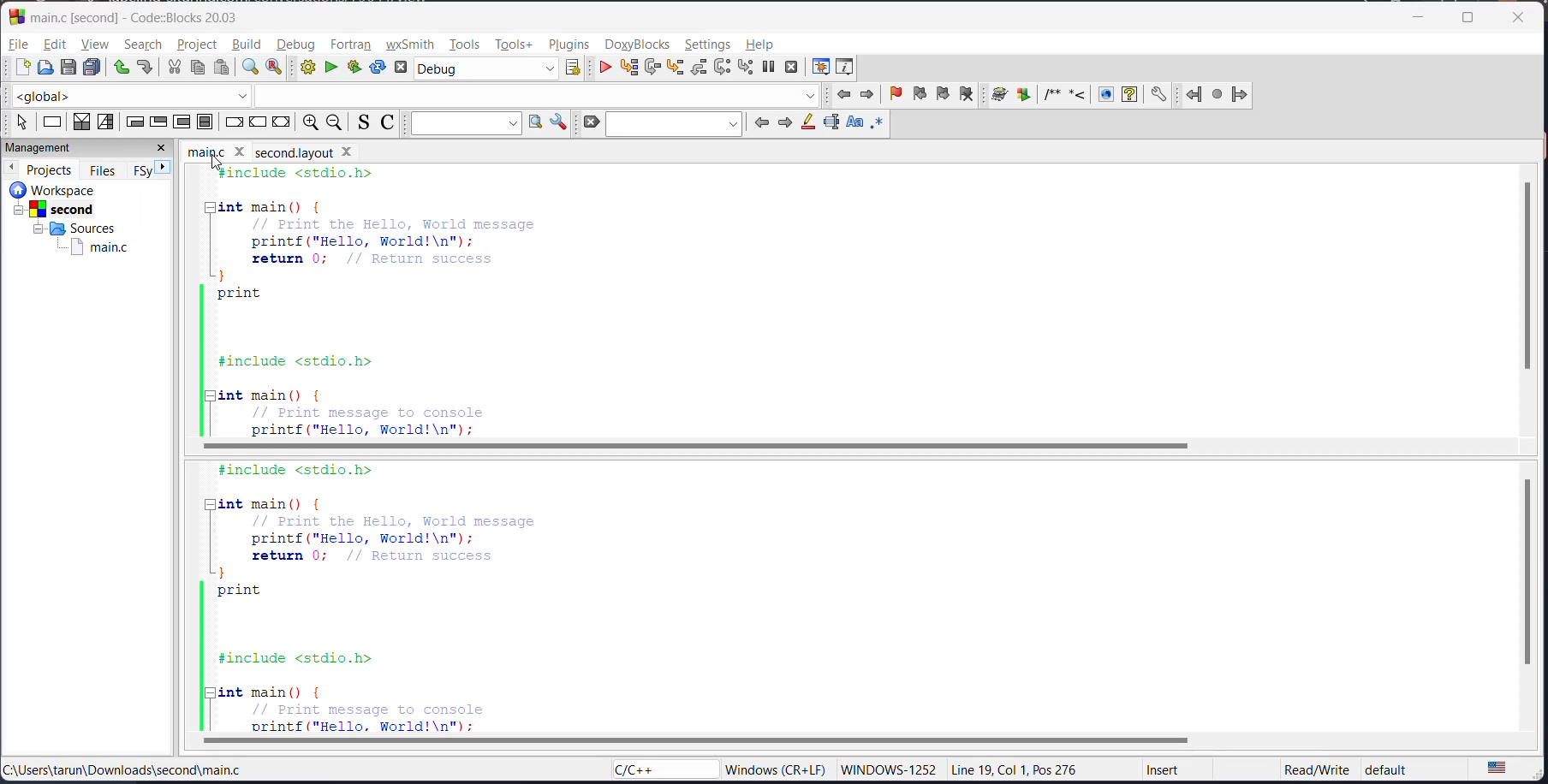  Describe the element at coordinates (966, 95) in the screenshot. I see `clear bookmark` at that location.